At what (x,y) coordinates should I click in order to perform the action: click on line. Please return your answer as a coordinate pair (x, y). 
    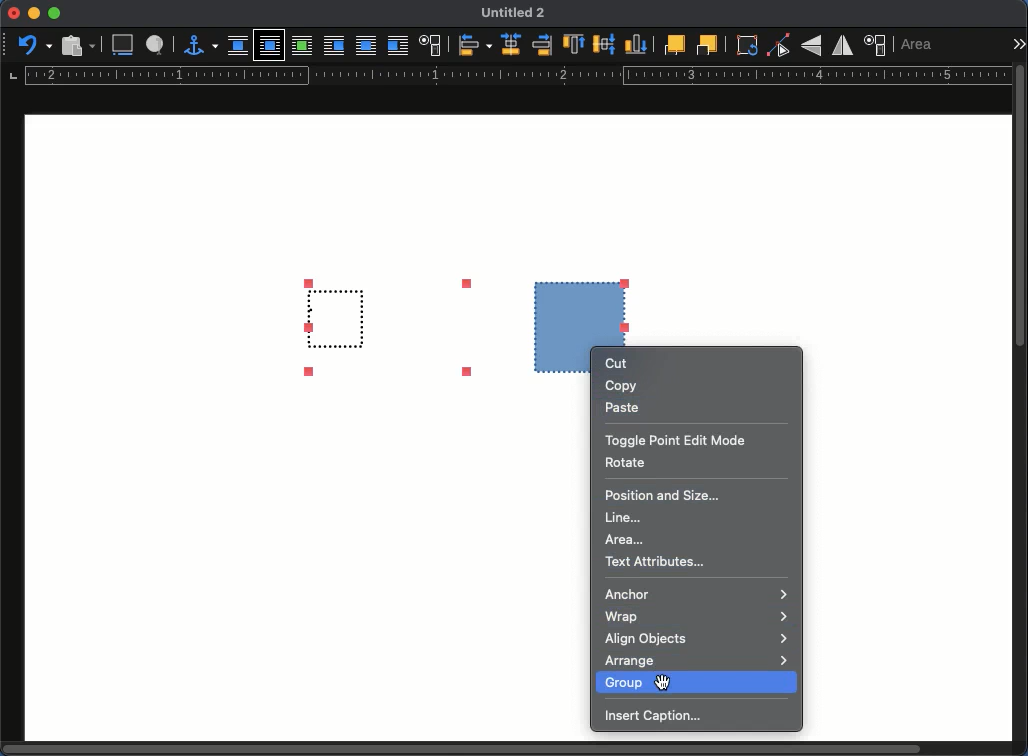
    Looking at the image, I should click on (622, 517).